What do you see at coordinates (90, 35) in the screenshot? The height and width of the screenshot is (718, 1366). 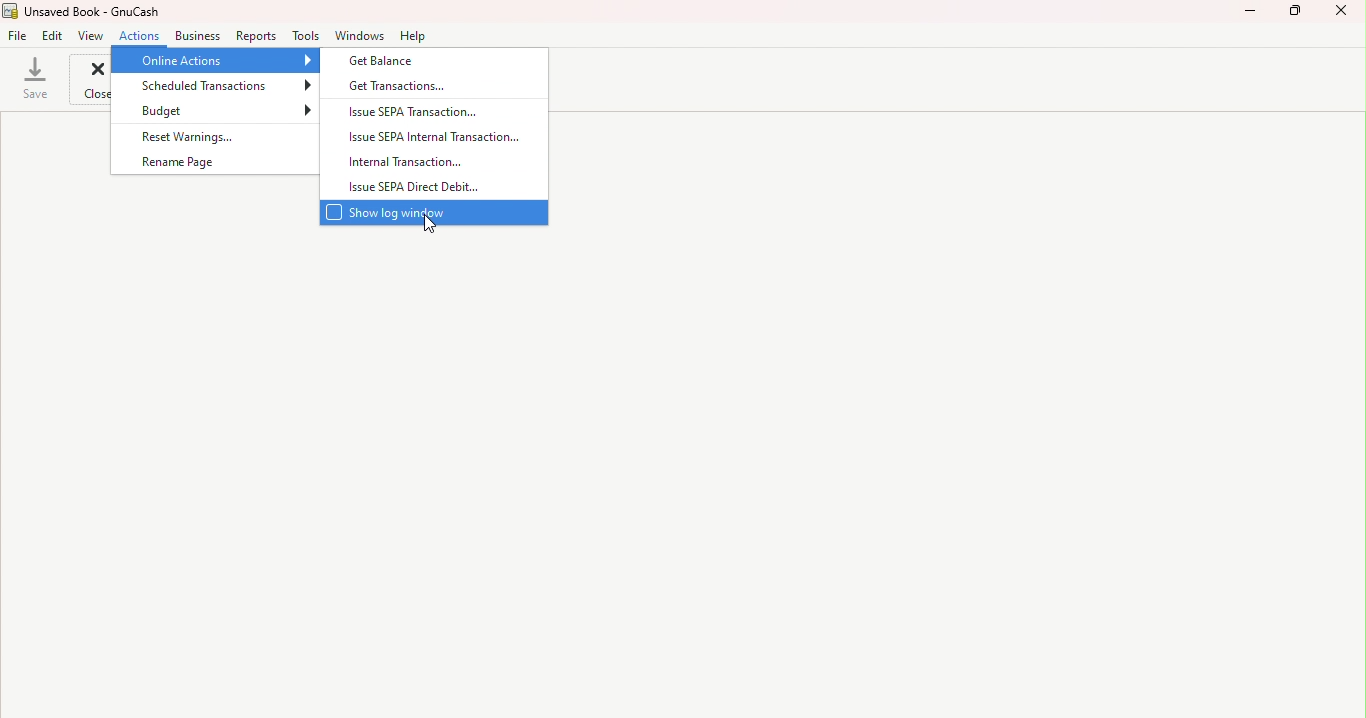 I see `view` at bounding box center [90, 35].